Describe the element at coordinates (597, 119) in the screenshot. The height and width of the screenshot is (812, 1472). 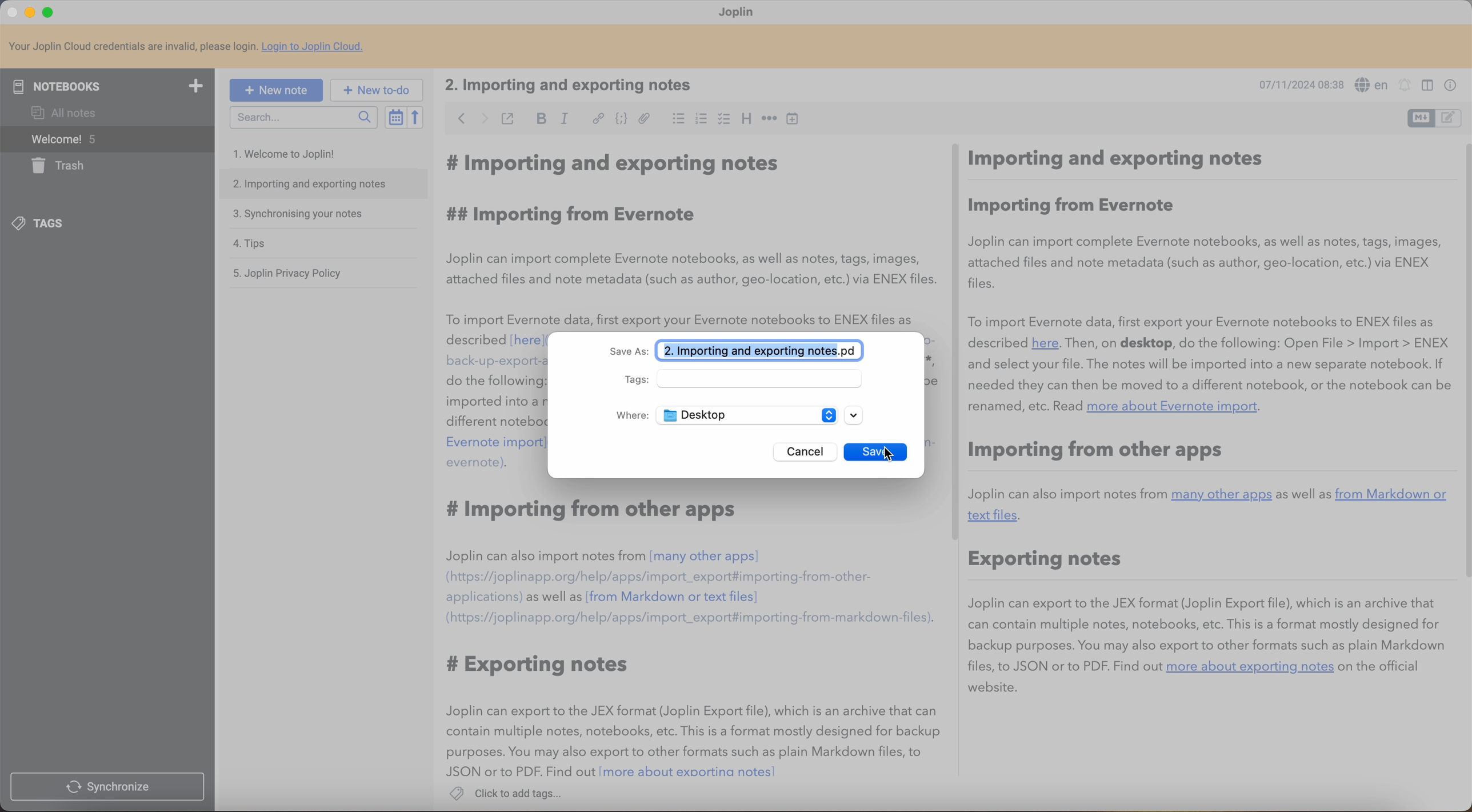
I see `hyperlink` at that location.